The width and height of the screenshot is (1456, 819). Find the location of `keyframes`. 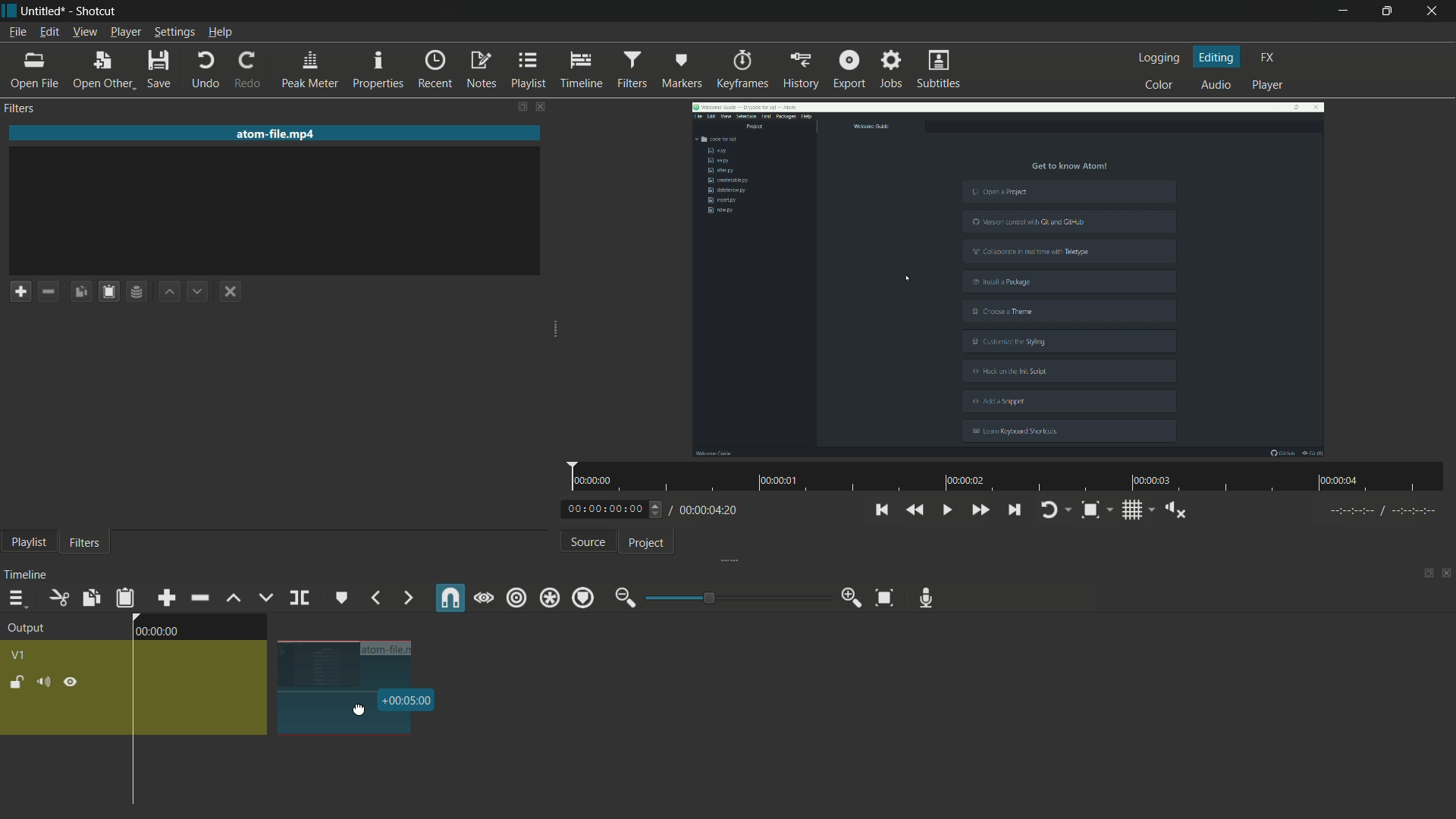

keyframes is located at coordinates (742, 68).